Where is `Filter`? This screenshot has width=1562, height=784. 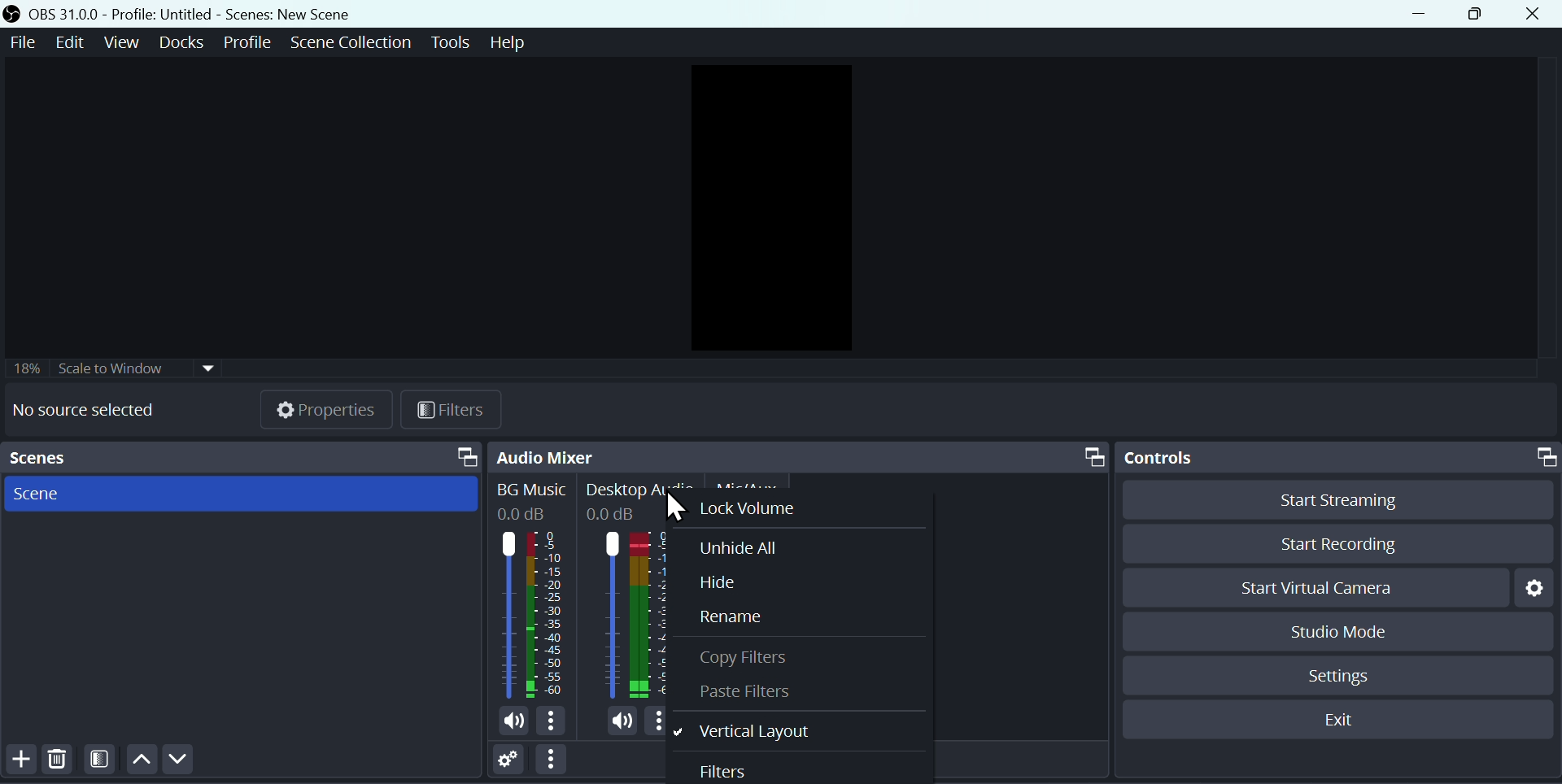
Filter is located at coordinates (451, 412).